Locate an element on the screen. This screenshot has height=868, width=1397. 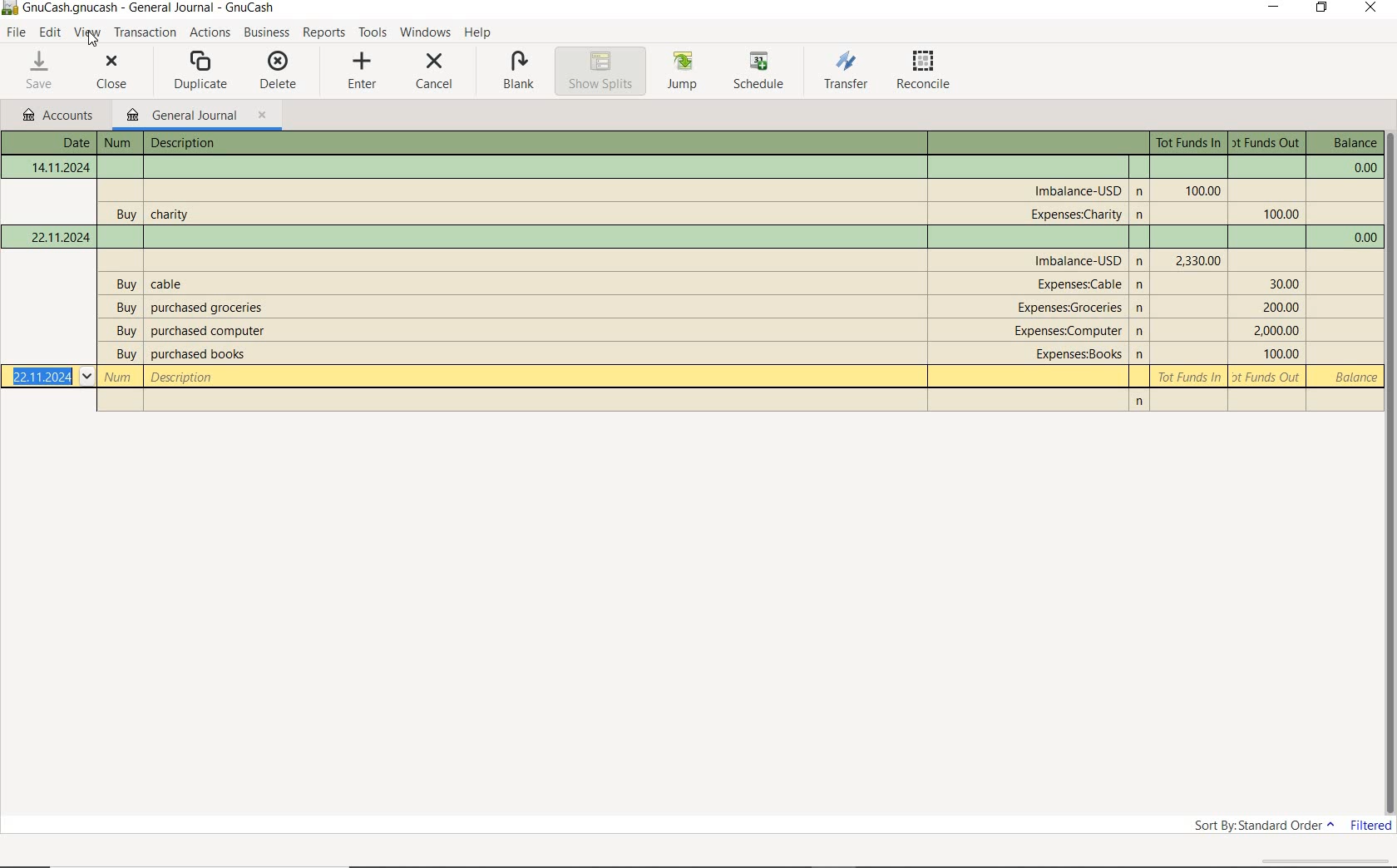
balance is located at coordinates (1350, 144).